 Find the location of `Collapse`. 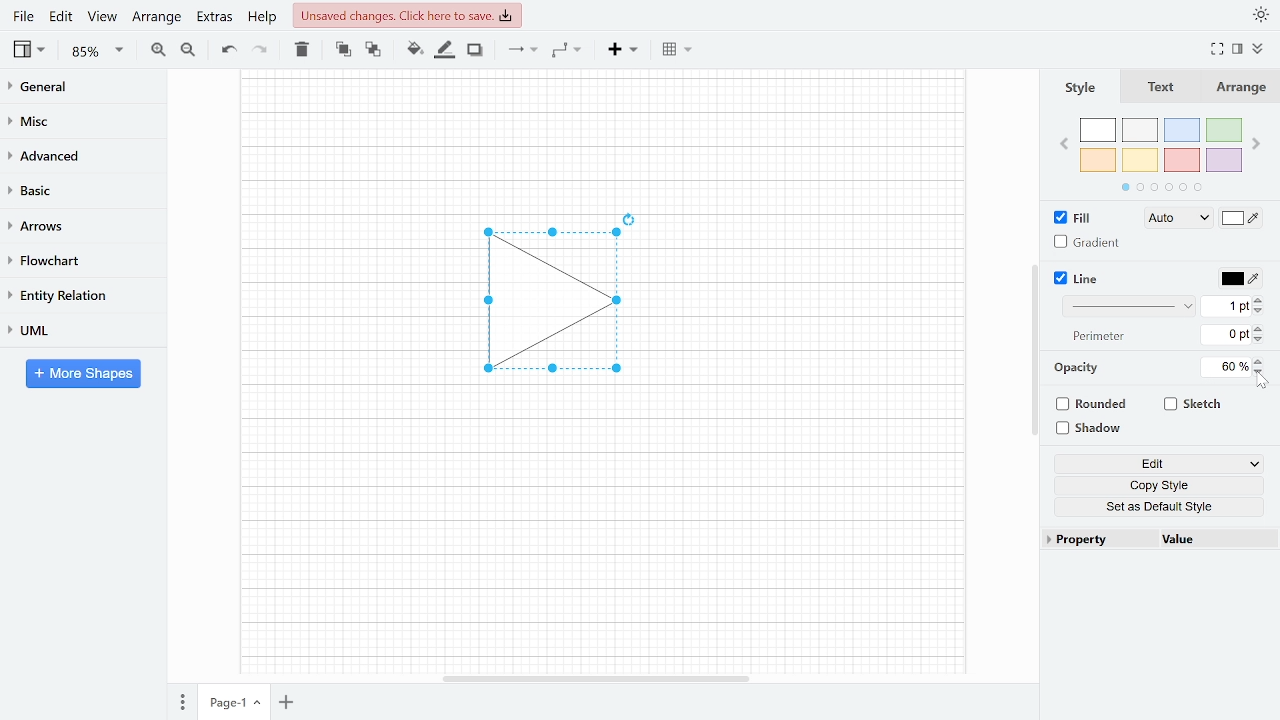

Collapse is located at coordinates (1265, 51).